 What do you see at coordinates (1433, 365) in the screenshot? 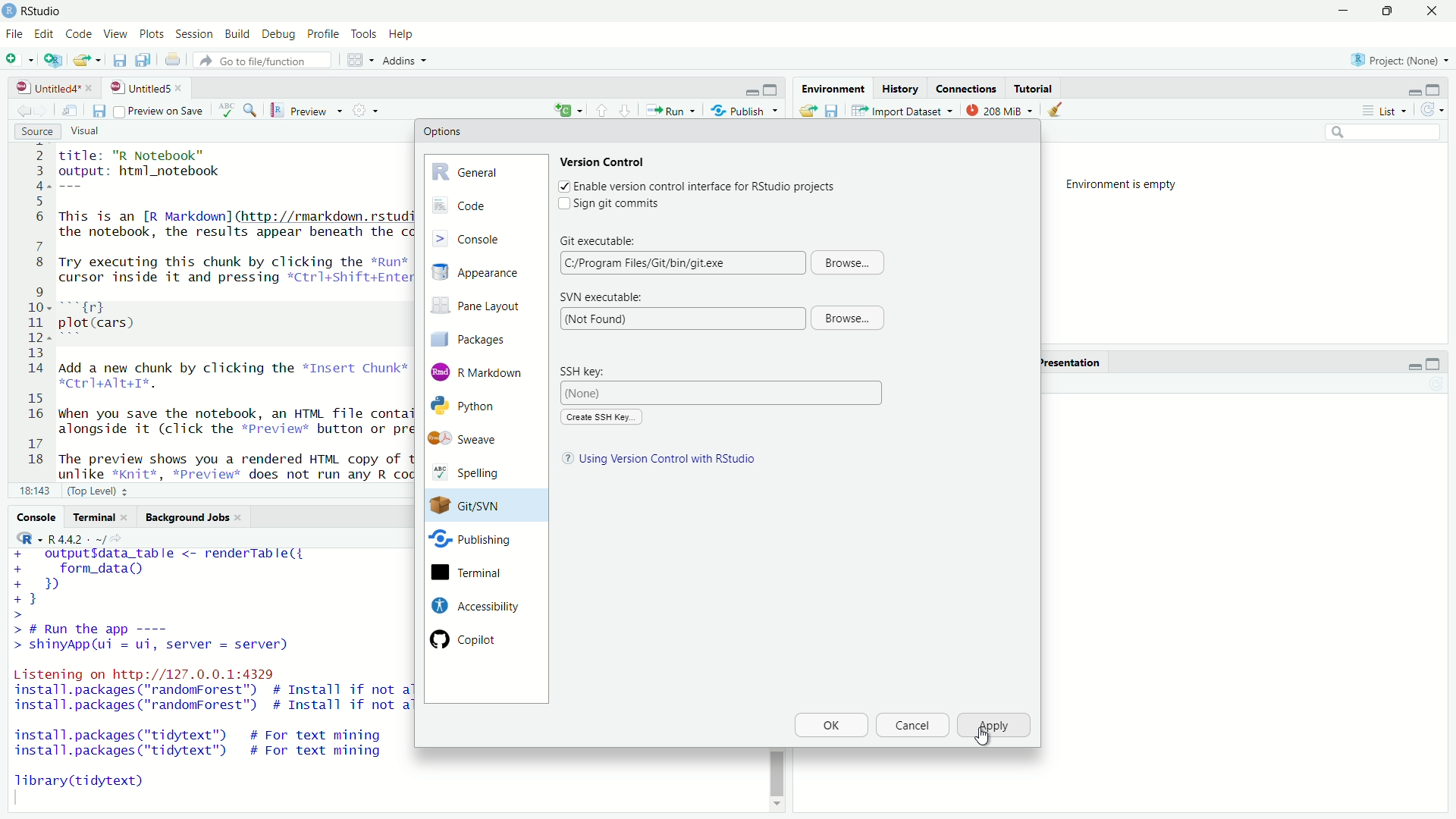
I see `maximize` at bounding box center [1433, 365].